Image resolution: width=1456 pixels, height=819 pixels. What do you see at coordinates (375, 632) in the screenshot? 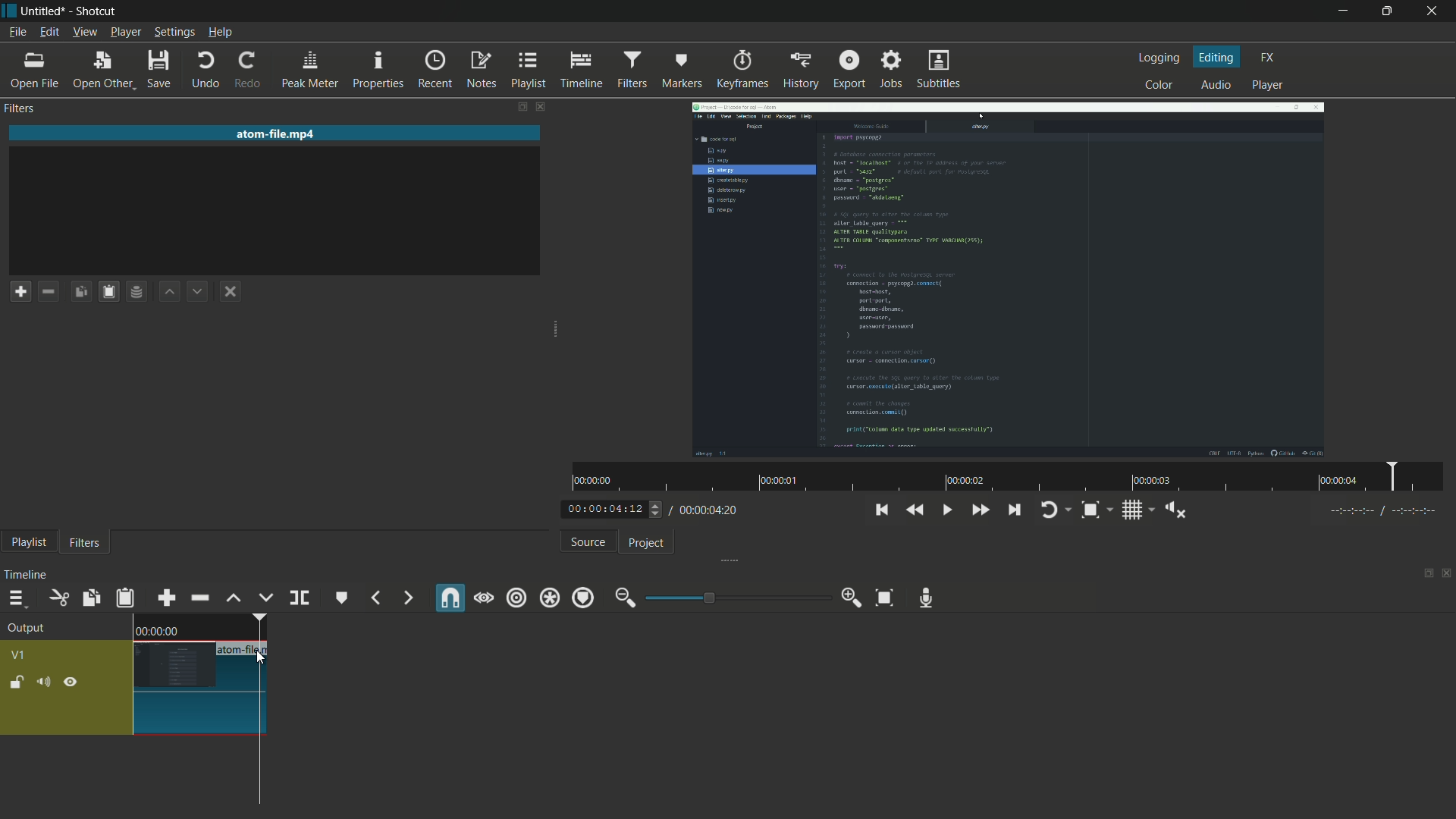
I see `M` at bounding box center [375, 632].